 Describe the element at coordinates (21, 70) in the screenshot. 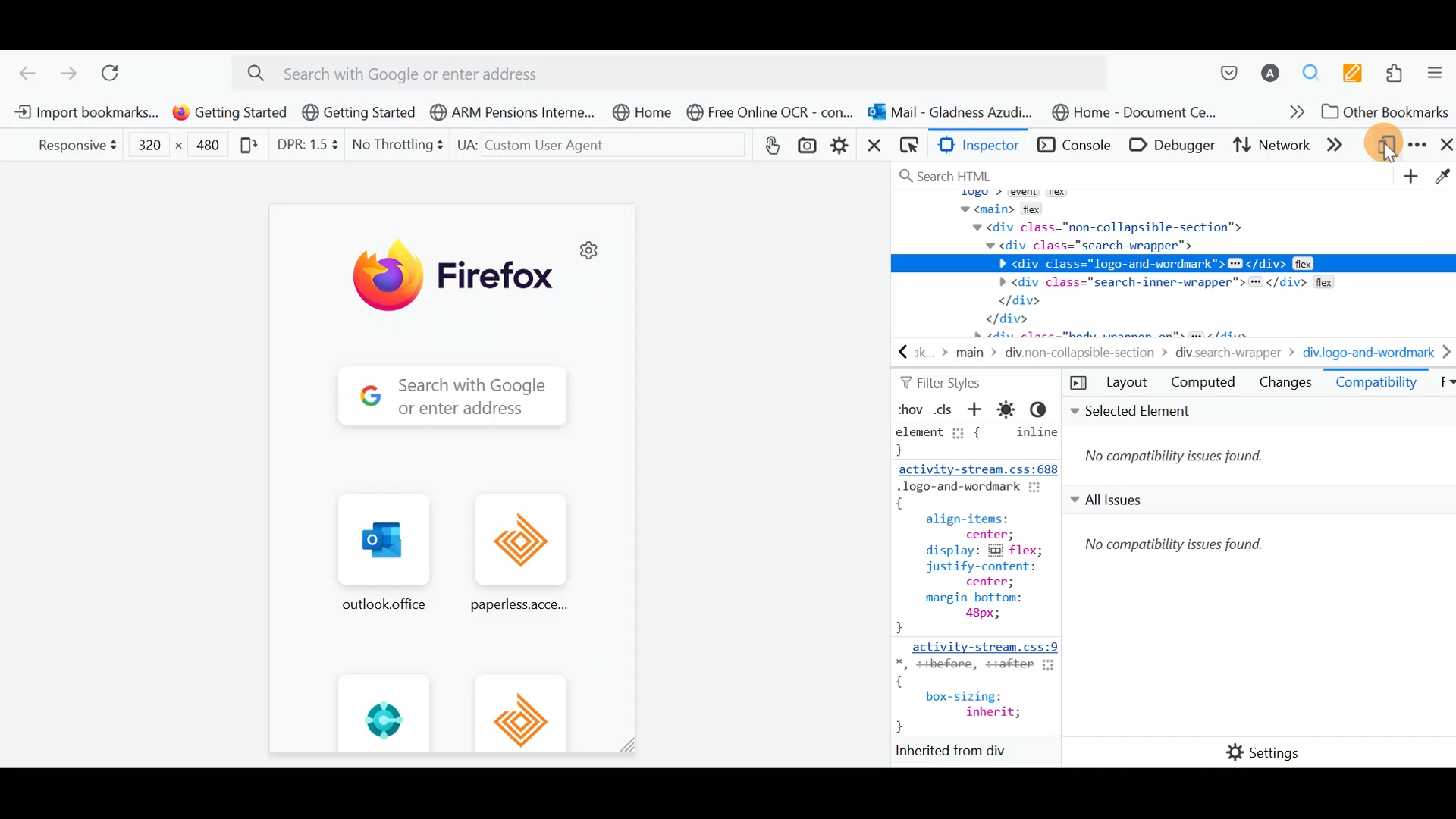

I see `Go back one page` at that location.